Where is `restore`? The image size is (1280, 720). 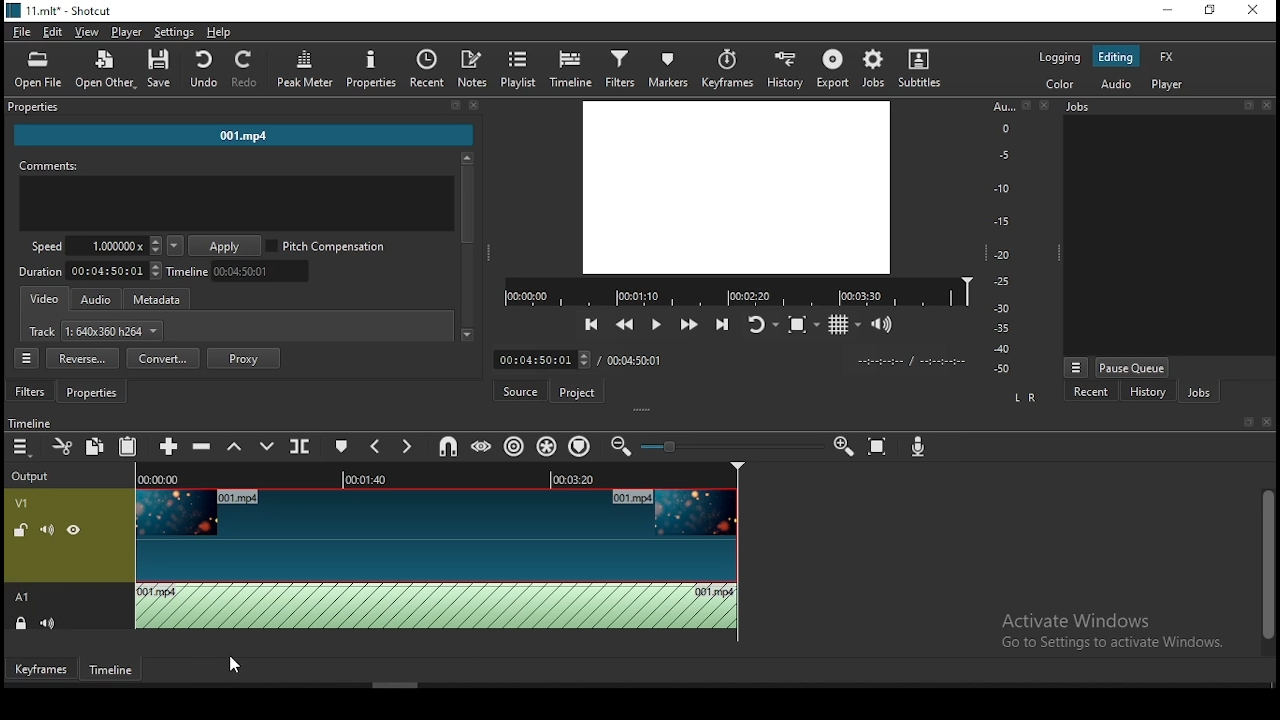 restore is located at coordinates (1209, 11).